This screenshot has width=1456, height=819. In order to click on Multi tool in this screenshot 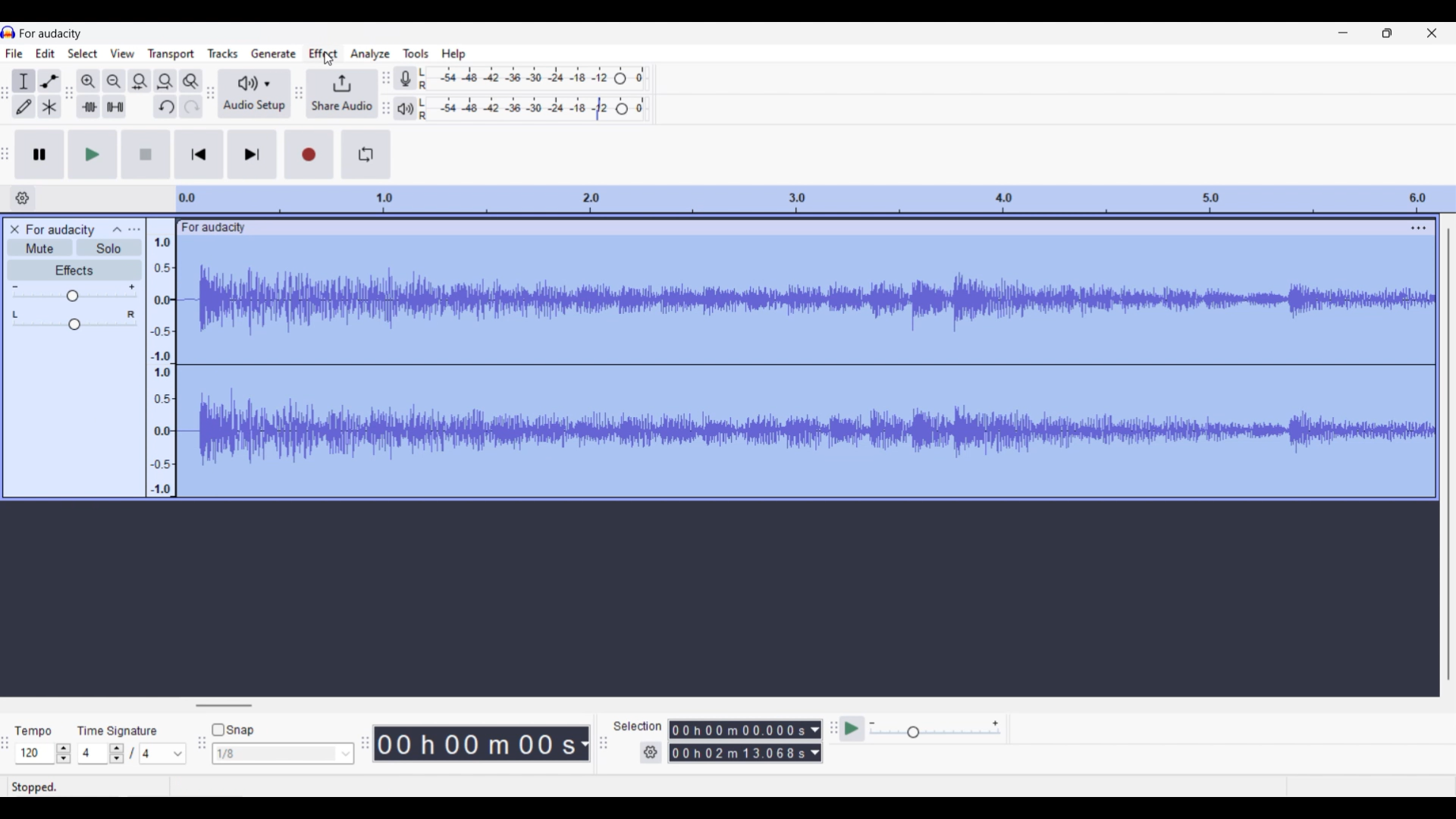, I will do `click(49, 106)`.